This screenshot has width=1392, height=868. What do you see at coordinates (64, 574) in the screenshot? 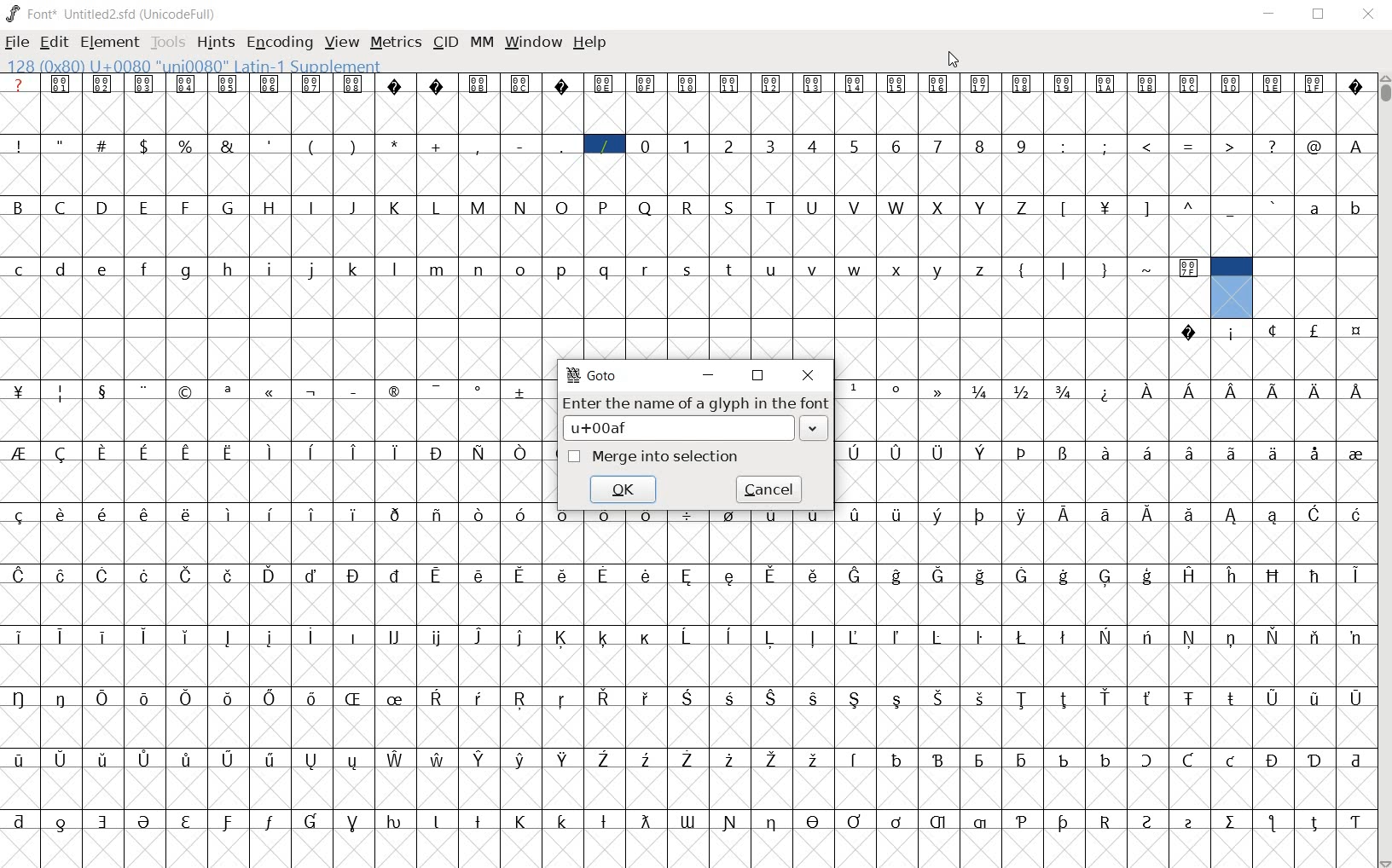
I see `Symbol` at bounding box center [64, 574].